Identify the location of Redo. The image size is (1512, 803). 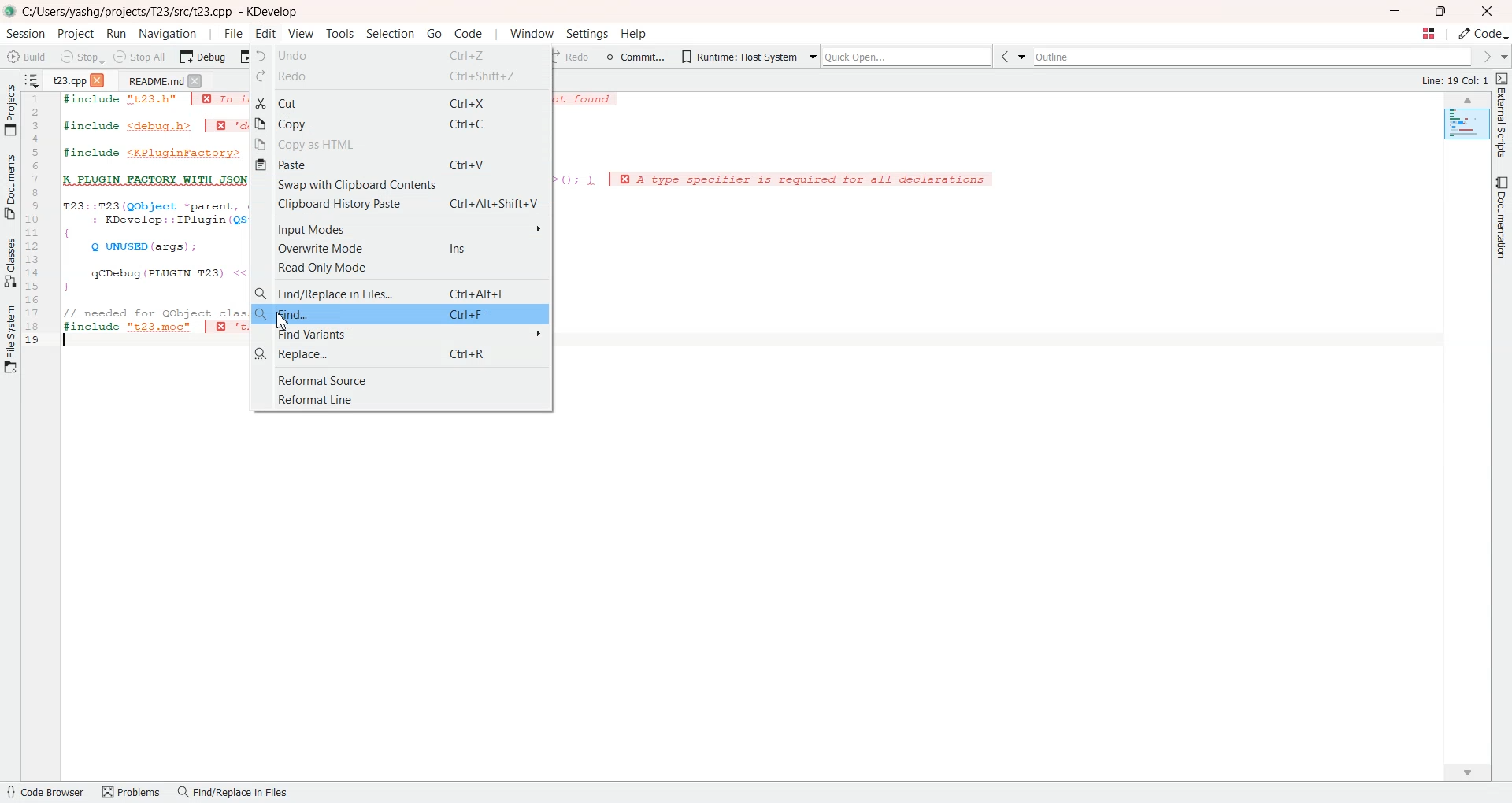
(398, 80).